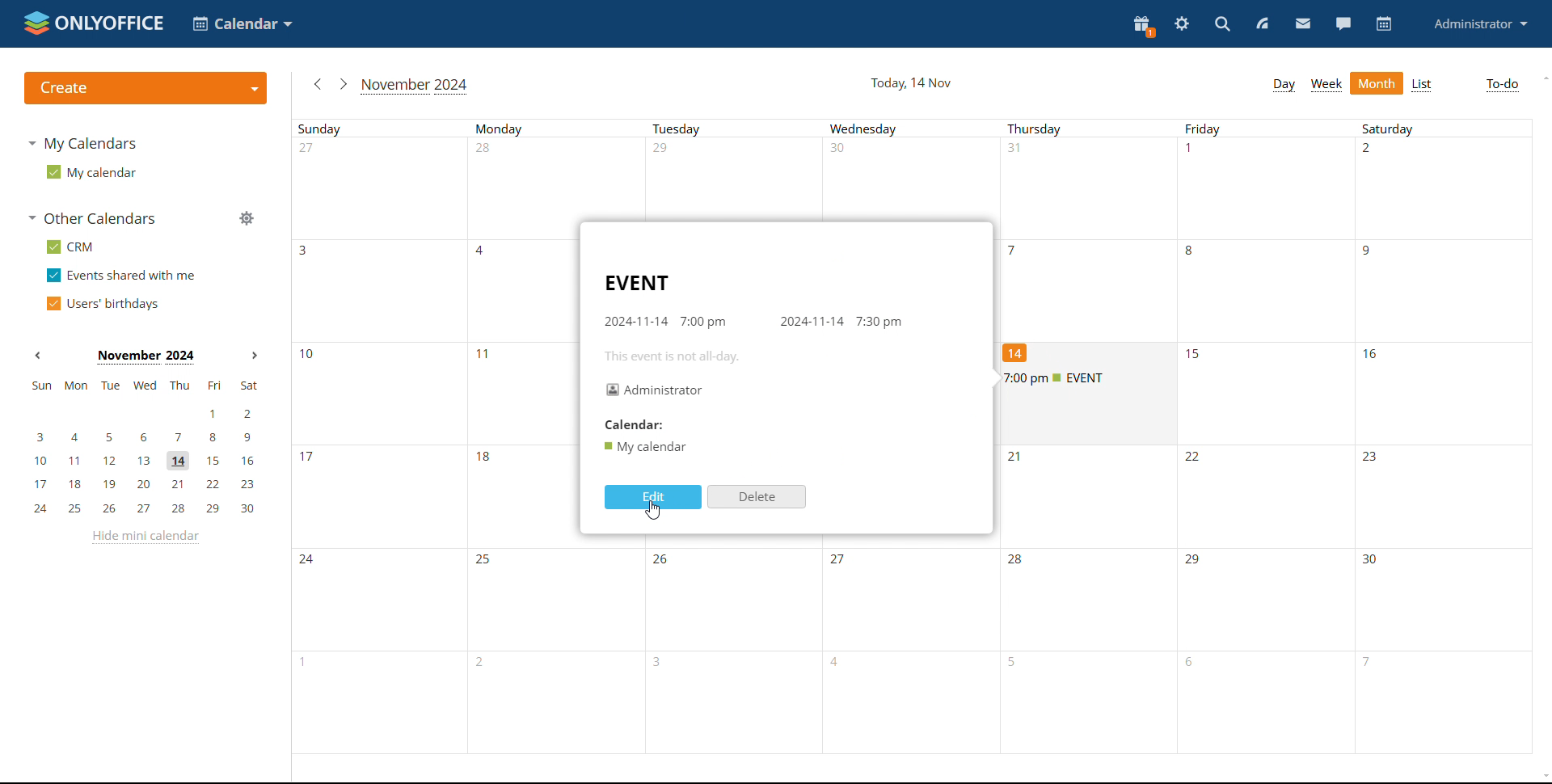 The height and width of the screenshot is (784, 1552). What do you see at coordinates (1181, 24) in the screenshot?
I see `settings` at bounding box center [1181, 24].